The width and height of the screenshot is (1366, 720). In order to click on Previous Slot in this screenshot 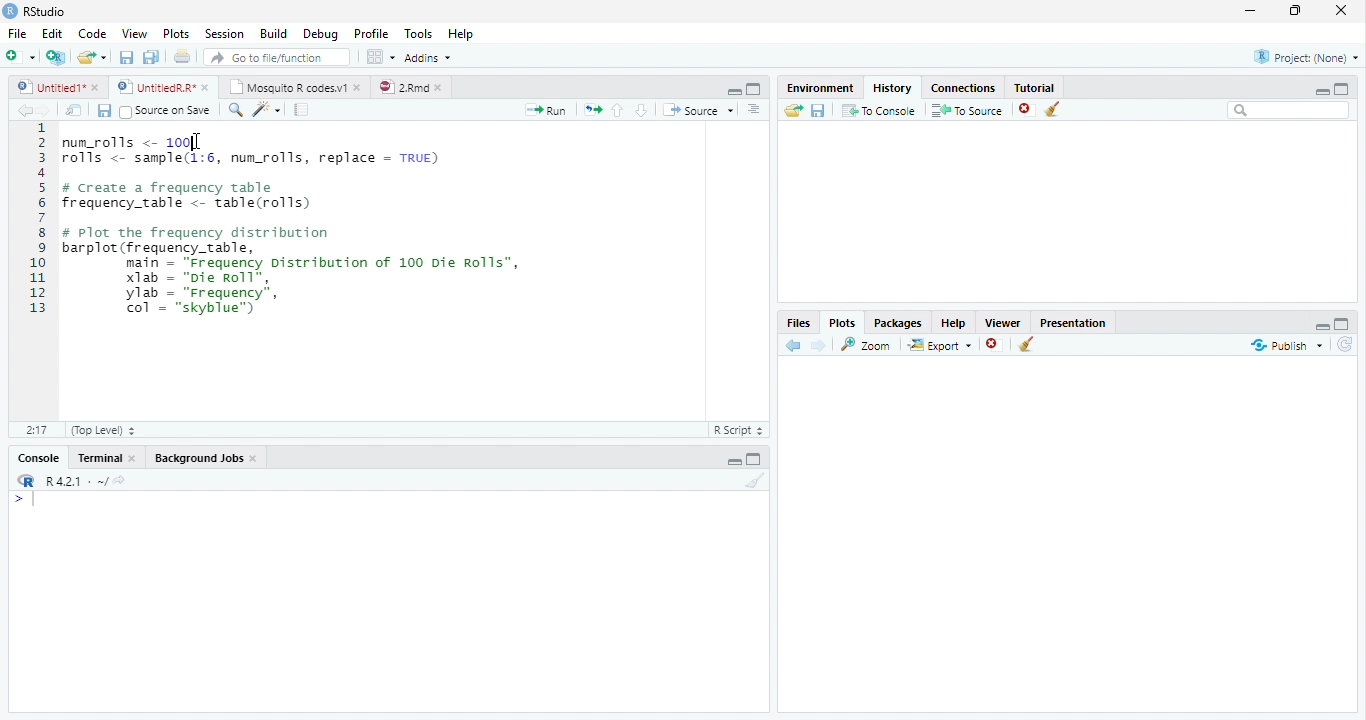, I will do `click(794, 346)`.